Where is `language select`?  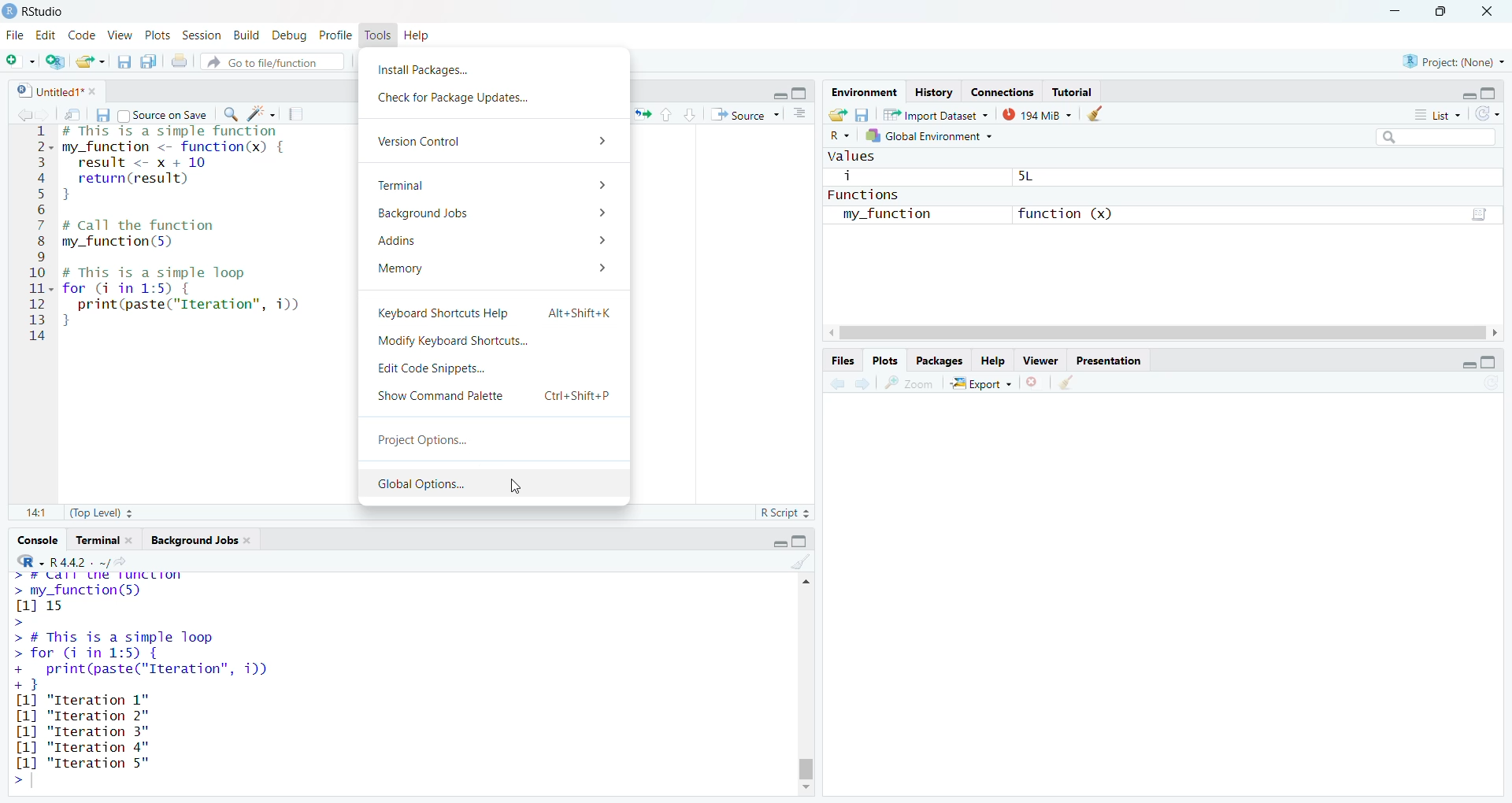 language select is located at coordinates (23, 561).